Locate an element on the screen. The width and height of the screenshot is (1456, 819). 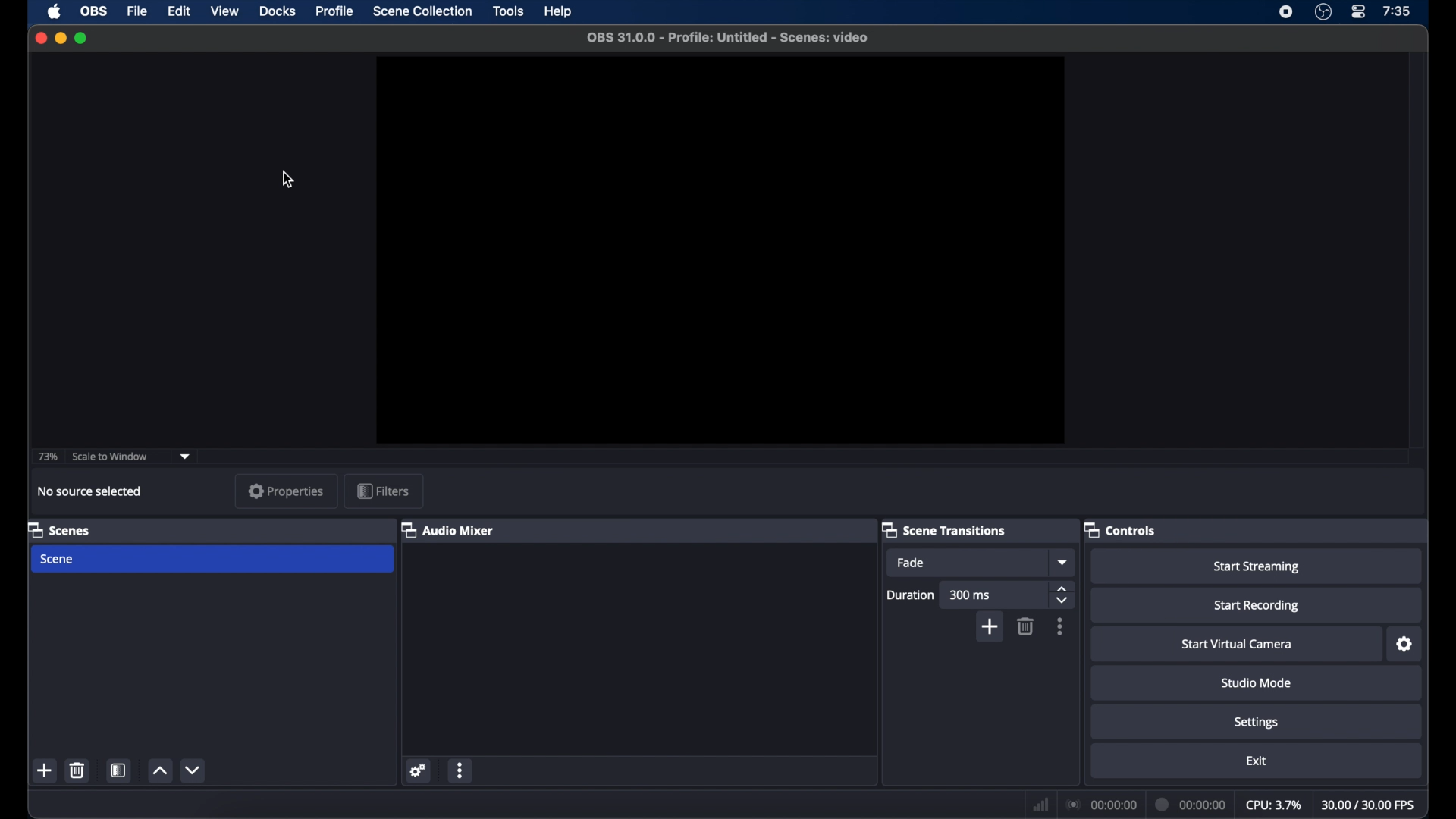
duration is located at coordinates (1192, 805).